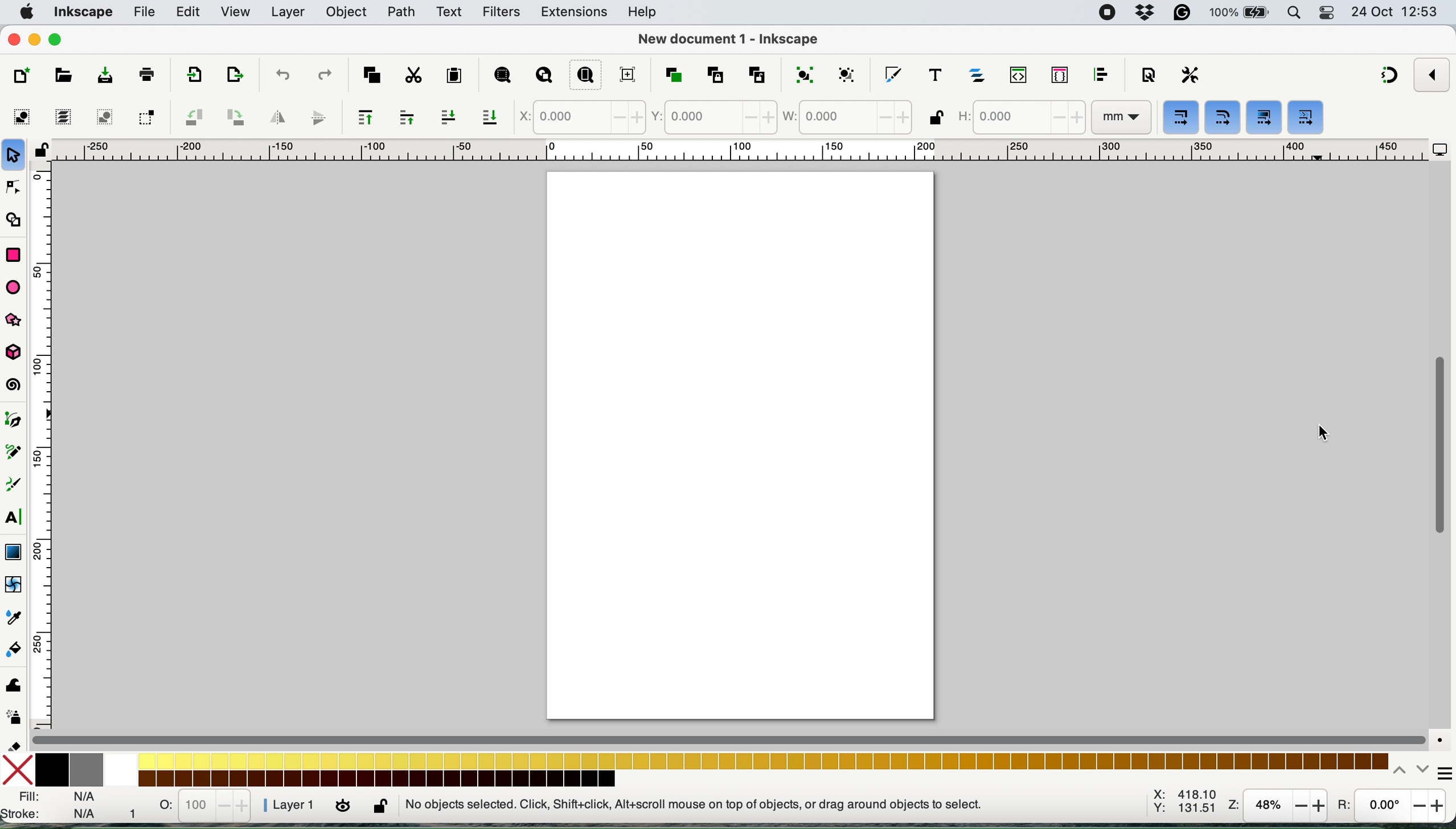 The height and width of the screenshot is (829, 1456). What do you see at coordinates (1389, 803) in the screenshot?
I see `rotations` at bounding box center [1389, 803].